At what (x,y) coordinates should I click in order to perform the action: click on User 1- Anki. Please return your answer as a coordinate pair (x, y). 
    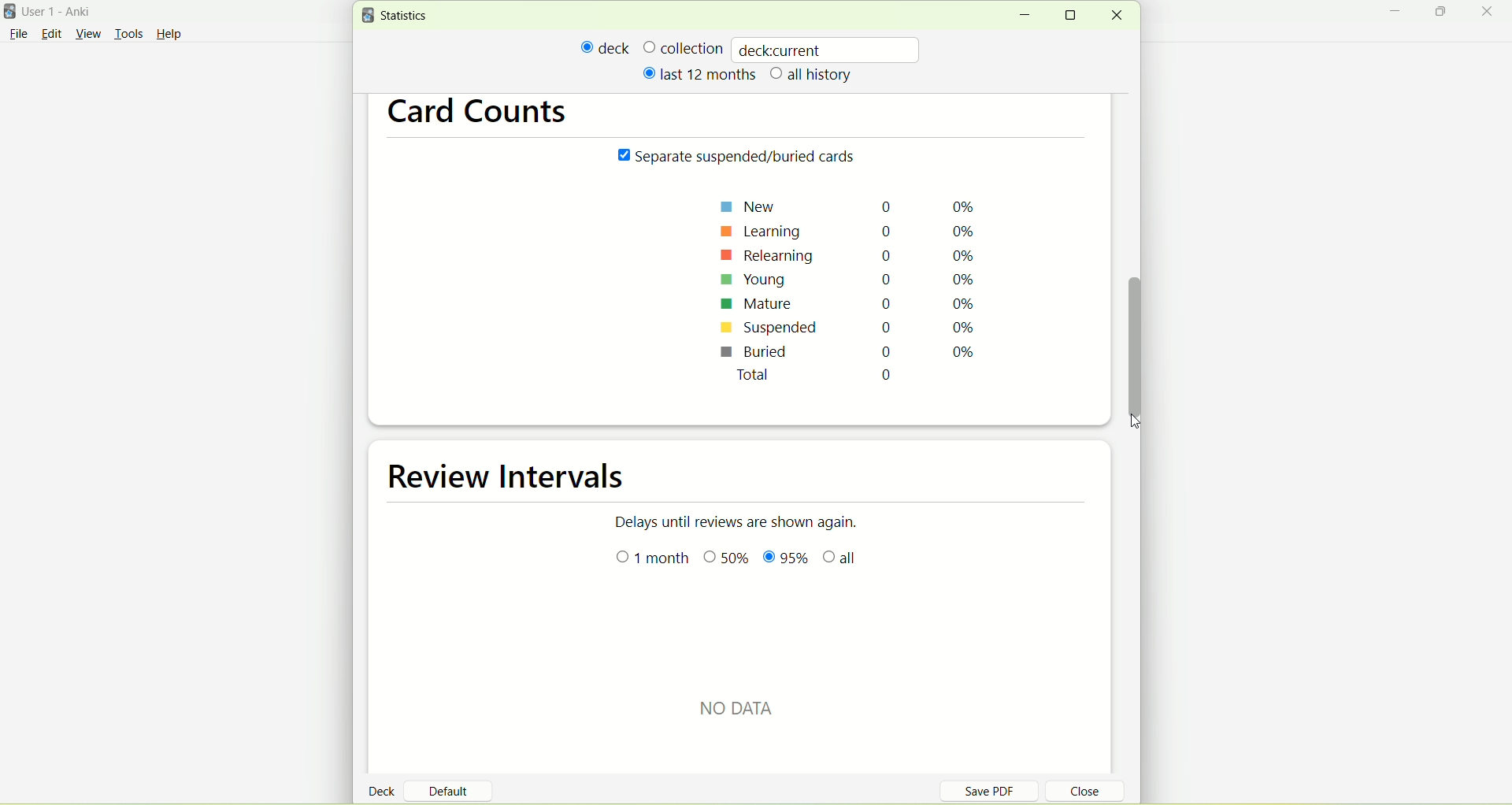
    Looking at the image, I should click on (67, 14).